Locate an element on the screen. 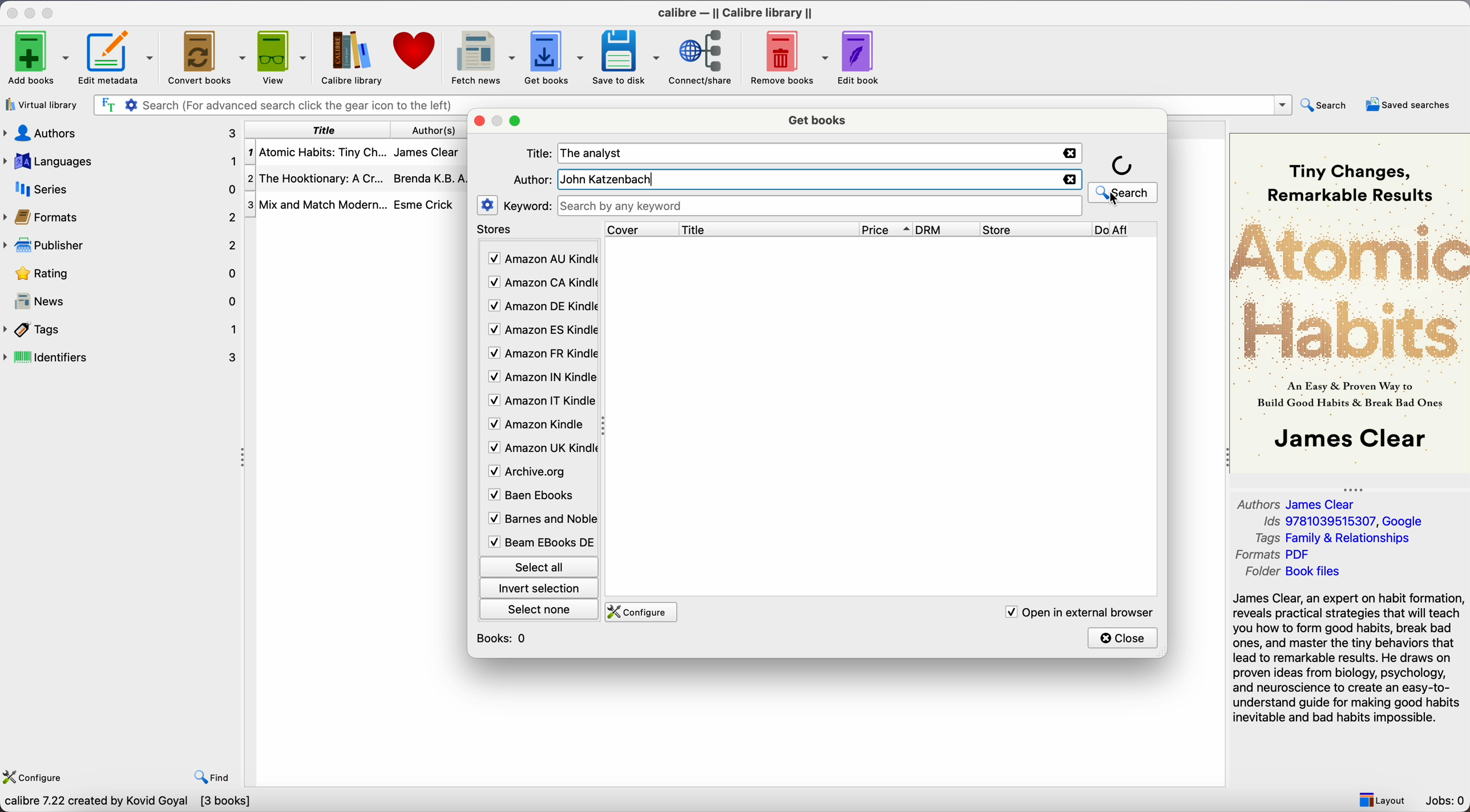 This screenshot has width=1470, height=812. Amazon CA Kindle is located at coordinates (541, 282).